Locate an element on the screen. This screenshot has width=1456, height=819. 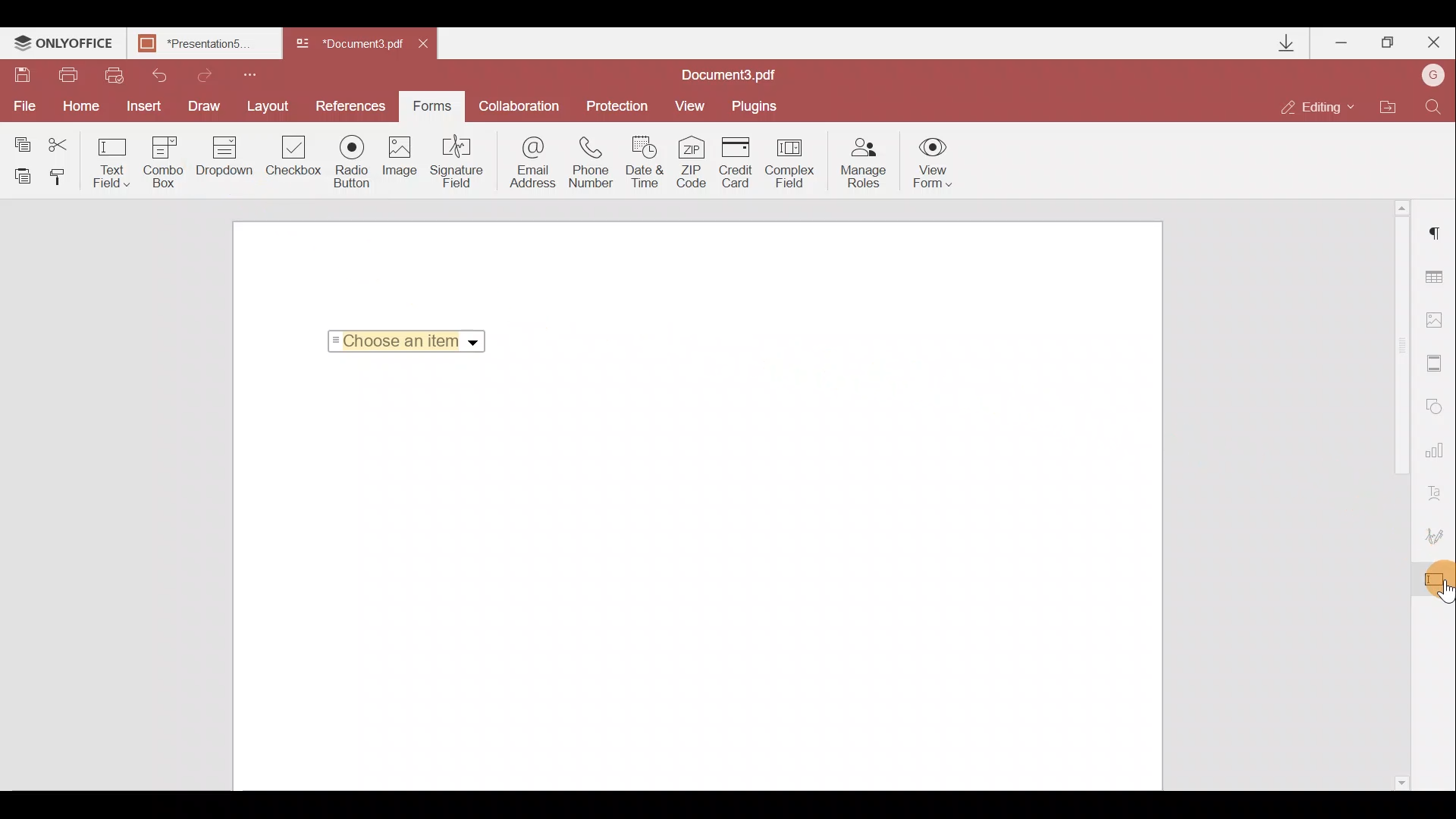
Insert is located at coordinates (147, 106).